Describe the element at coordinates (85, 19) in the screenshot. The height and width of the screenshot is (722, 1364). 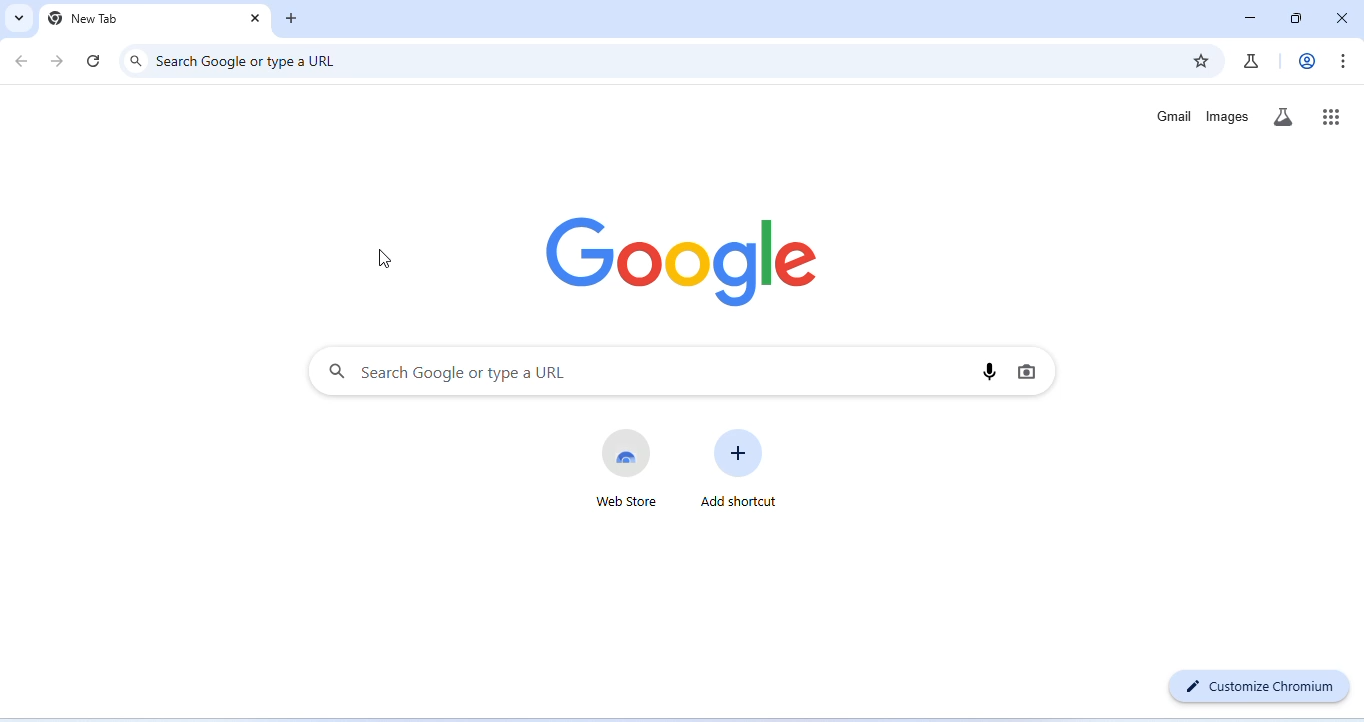
I see `new tab` at that location.